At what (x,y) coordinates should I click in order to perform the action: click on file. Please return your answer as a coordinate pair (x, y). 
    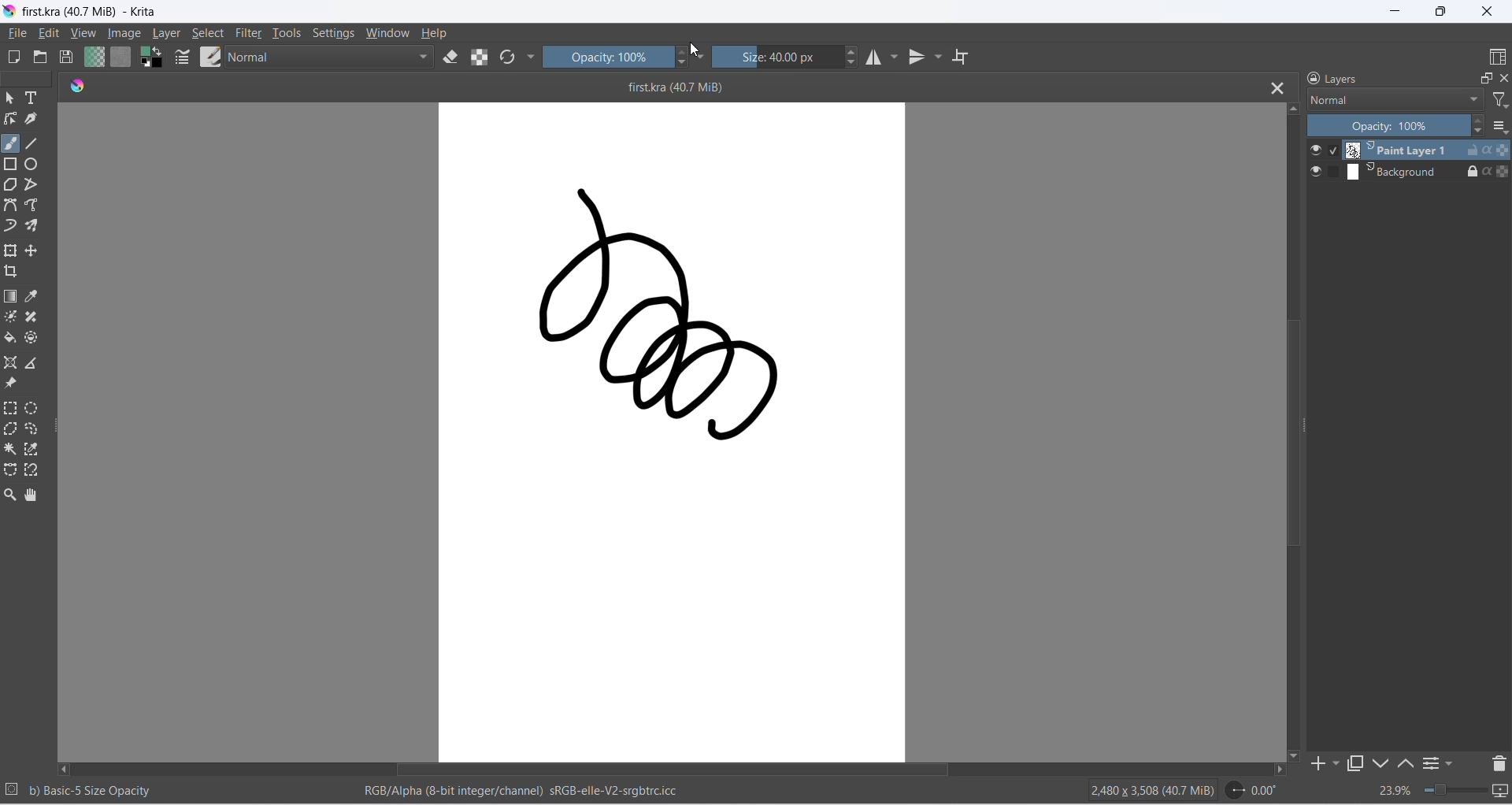
    Looking at the image, I should click on (17, 33).